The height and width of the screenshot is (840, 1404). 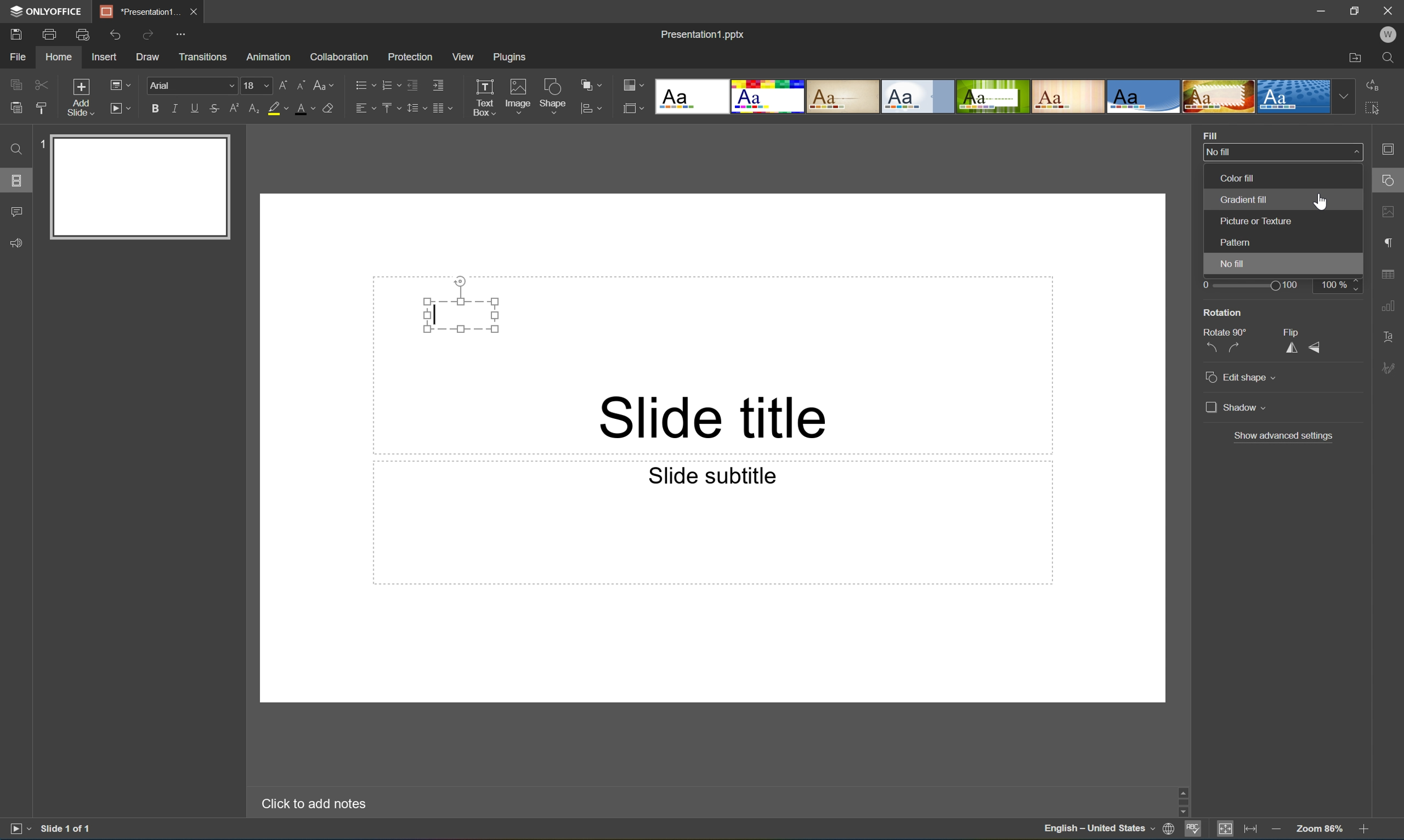 What do you see at coordinates (192, 10) in the screenshot?
I see `Close` at bounding box center [192, 10].